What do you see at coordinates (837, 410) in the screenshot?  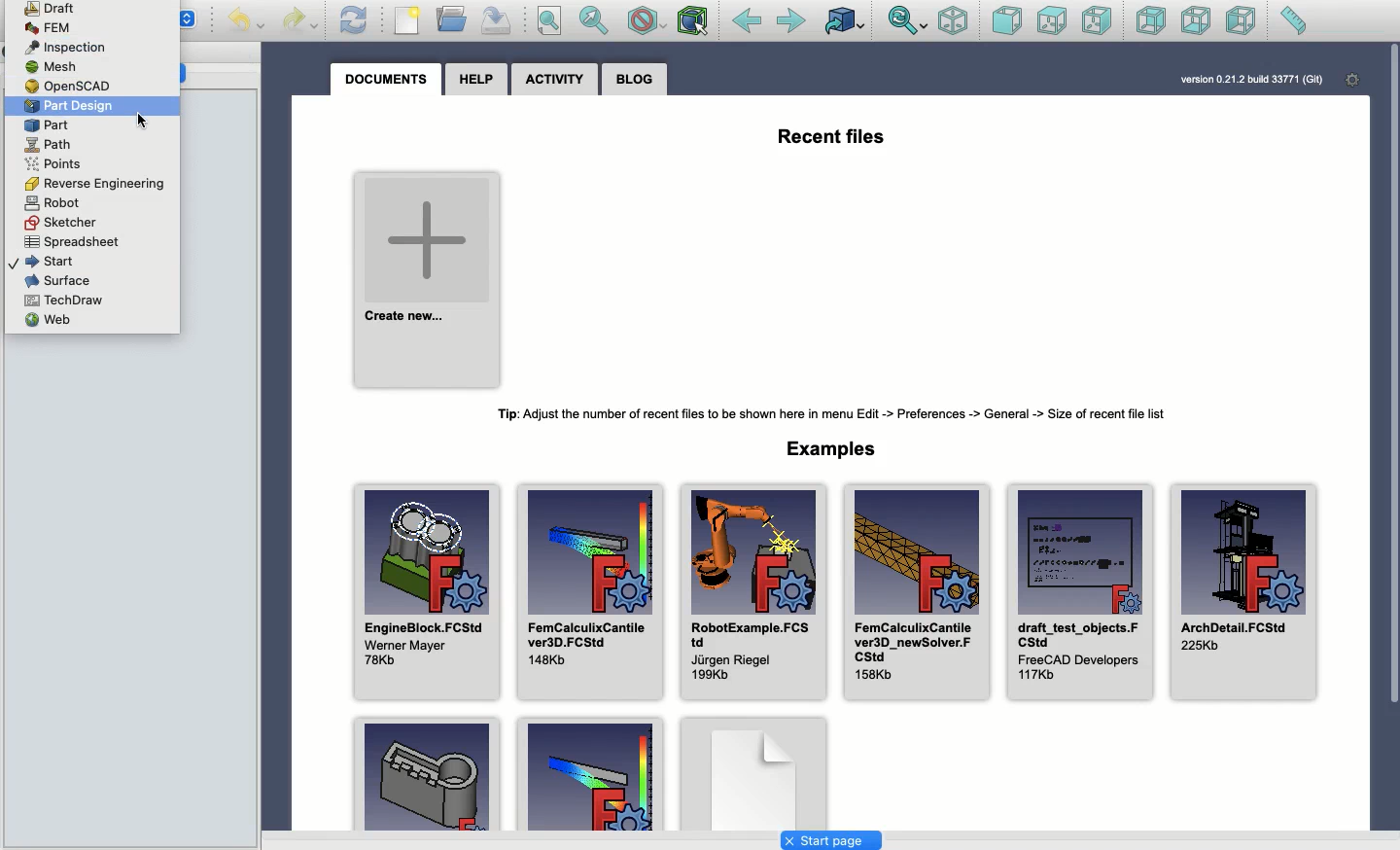 I see `Tip: Adjust the number of recent files to be shown here in menu Edit -> Preferences -> General -> Size of recent file list` at bounding box center [837, 410].